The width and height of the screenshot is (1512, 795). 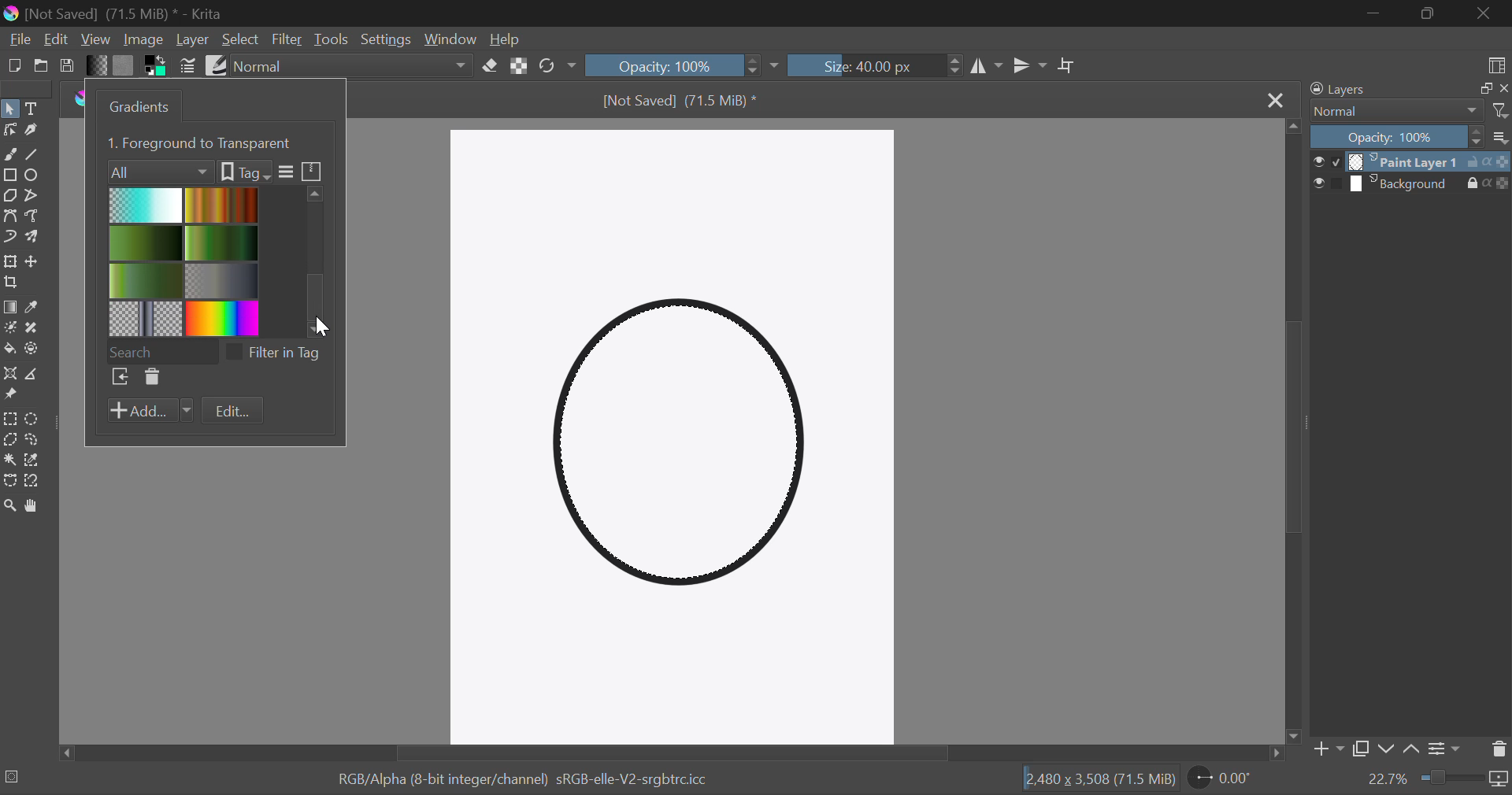 I want to click on Smart Patch Tool, so click(x=35, y=329).